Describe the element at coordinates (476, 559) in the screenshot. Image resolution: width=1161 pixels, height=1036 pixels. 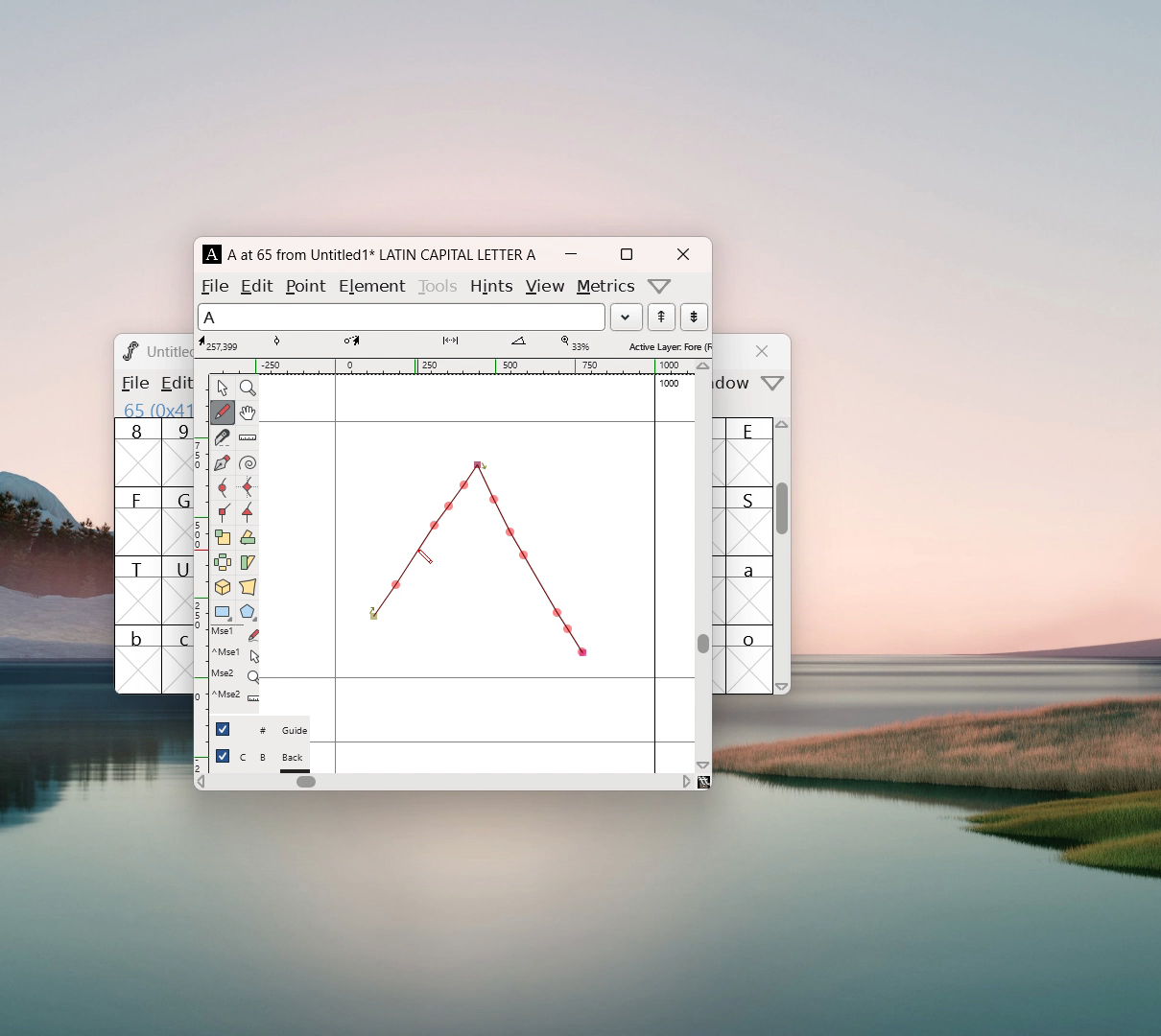
I see `draw shape` at that location.